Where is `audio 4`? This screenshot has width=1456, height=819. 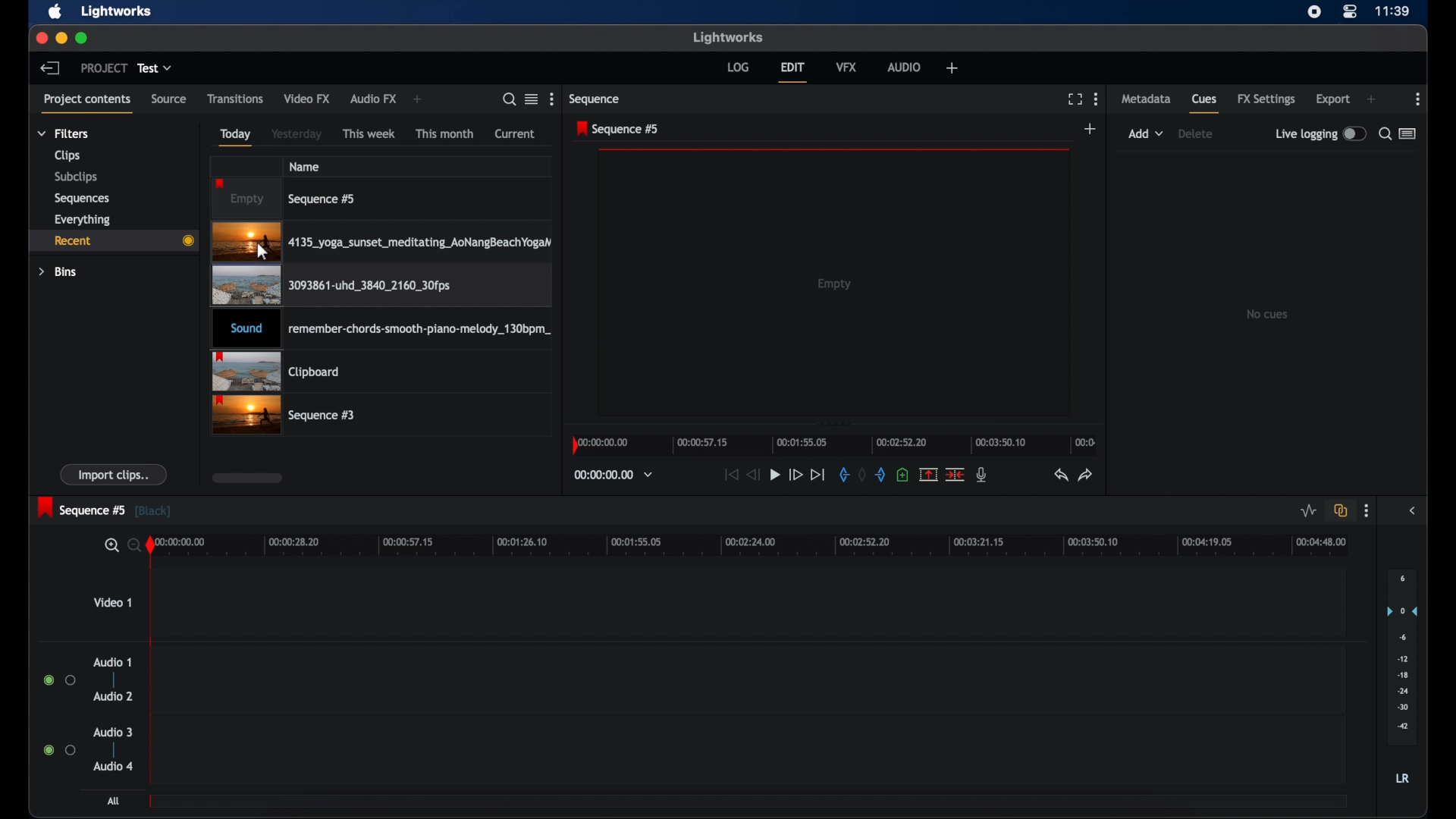
audio 4 is located at coordinates (111, 767).